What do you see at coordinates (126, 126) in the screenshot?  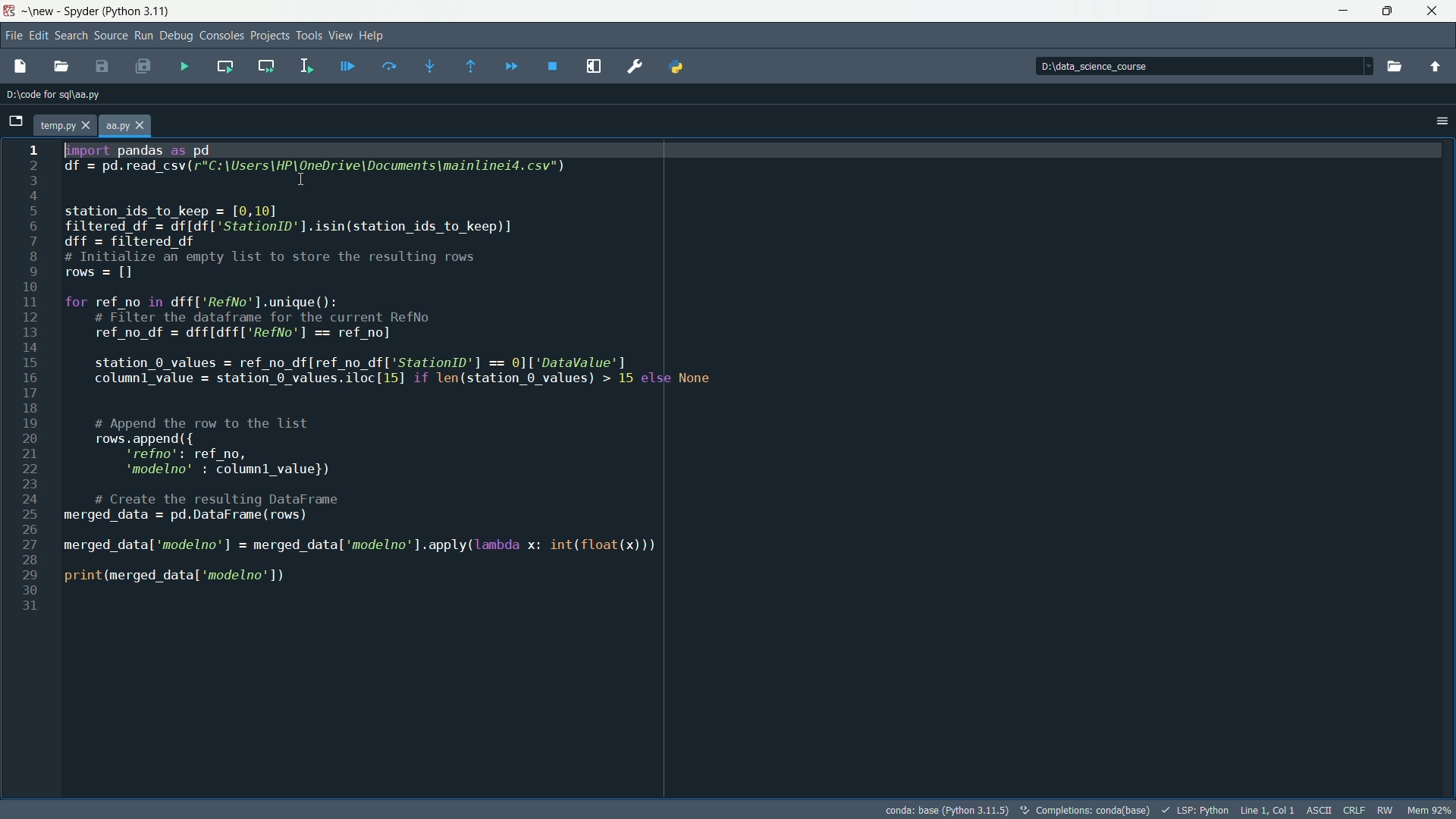 I see `file name` at bounding box center [126, 126].